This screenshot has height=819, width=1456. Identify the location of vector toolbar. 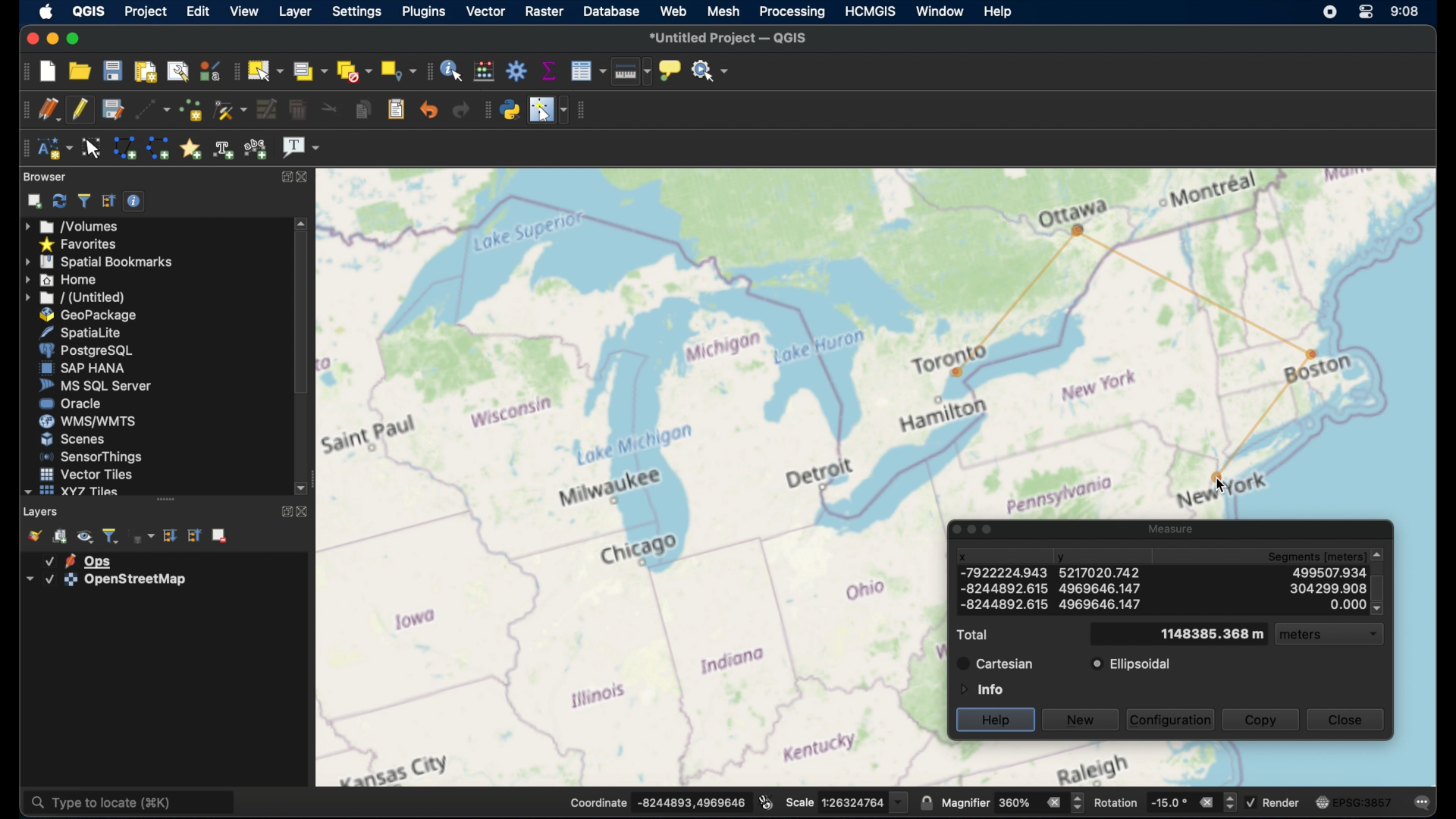
(584, 111).